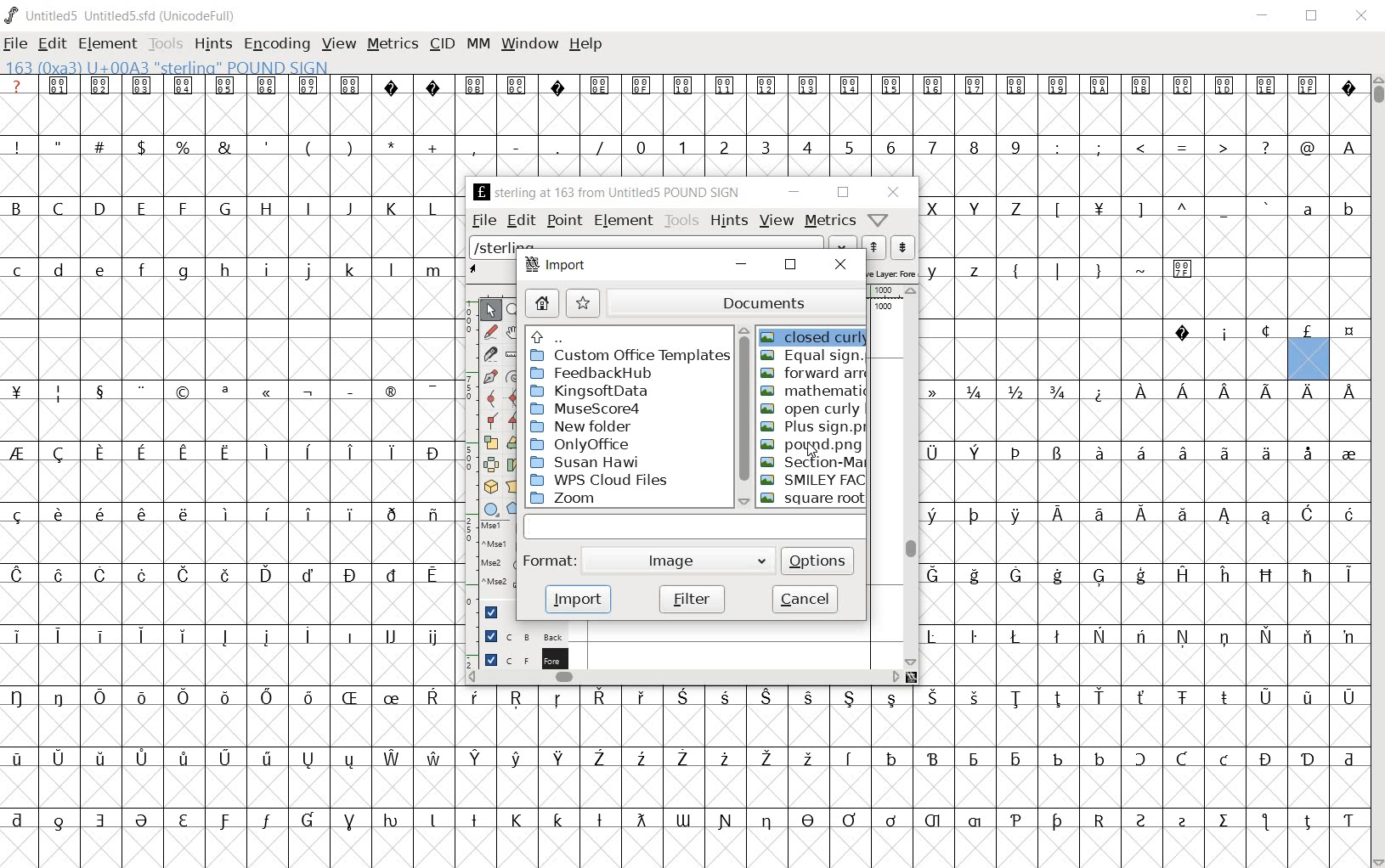  What do you see at coordinates (21, 697) in the screenshot?
I see `Symbol` at bounding box center [21, 697].